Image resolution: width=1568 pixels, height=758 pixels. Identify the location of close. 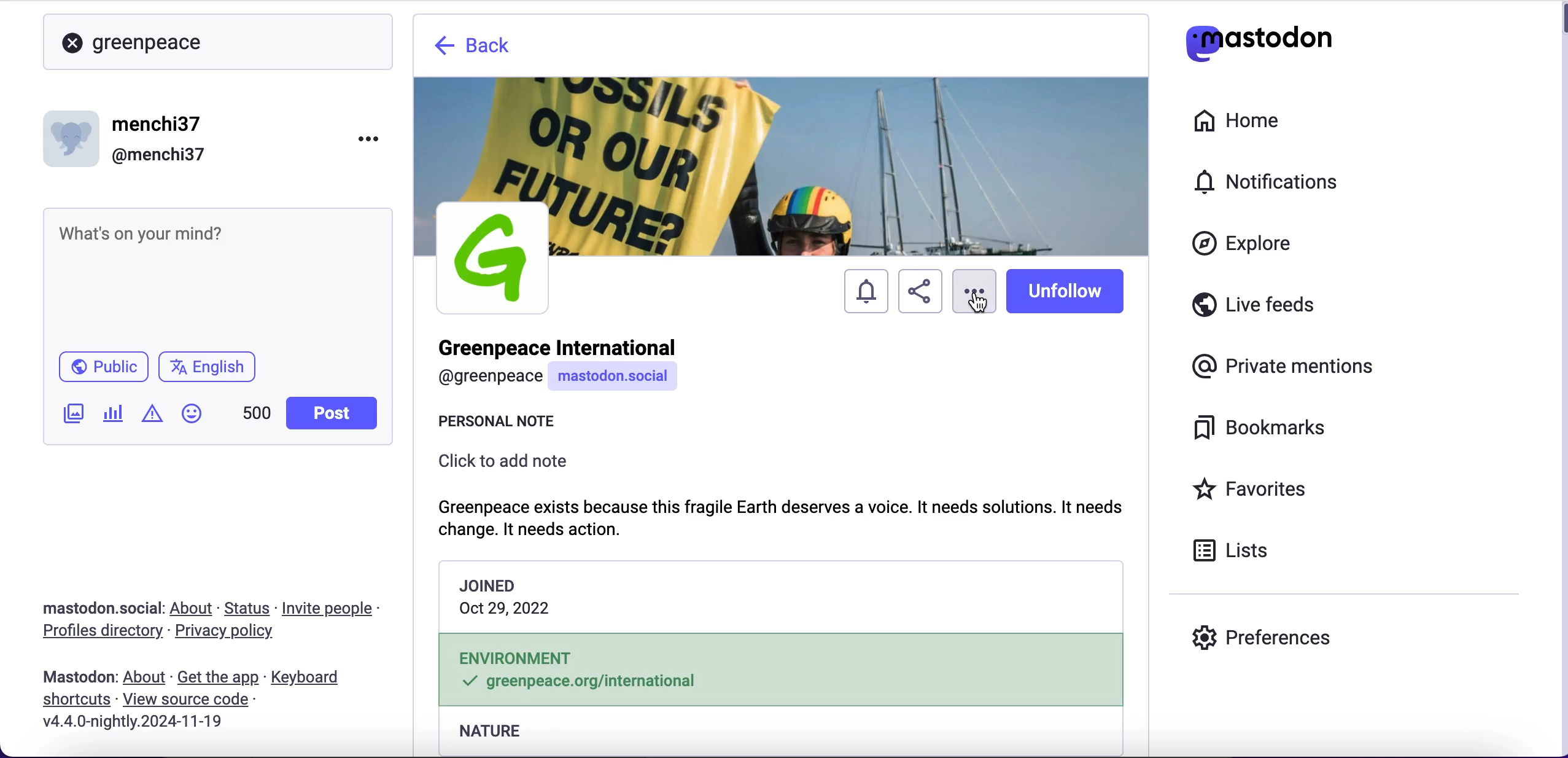
(72, 44).